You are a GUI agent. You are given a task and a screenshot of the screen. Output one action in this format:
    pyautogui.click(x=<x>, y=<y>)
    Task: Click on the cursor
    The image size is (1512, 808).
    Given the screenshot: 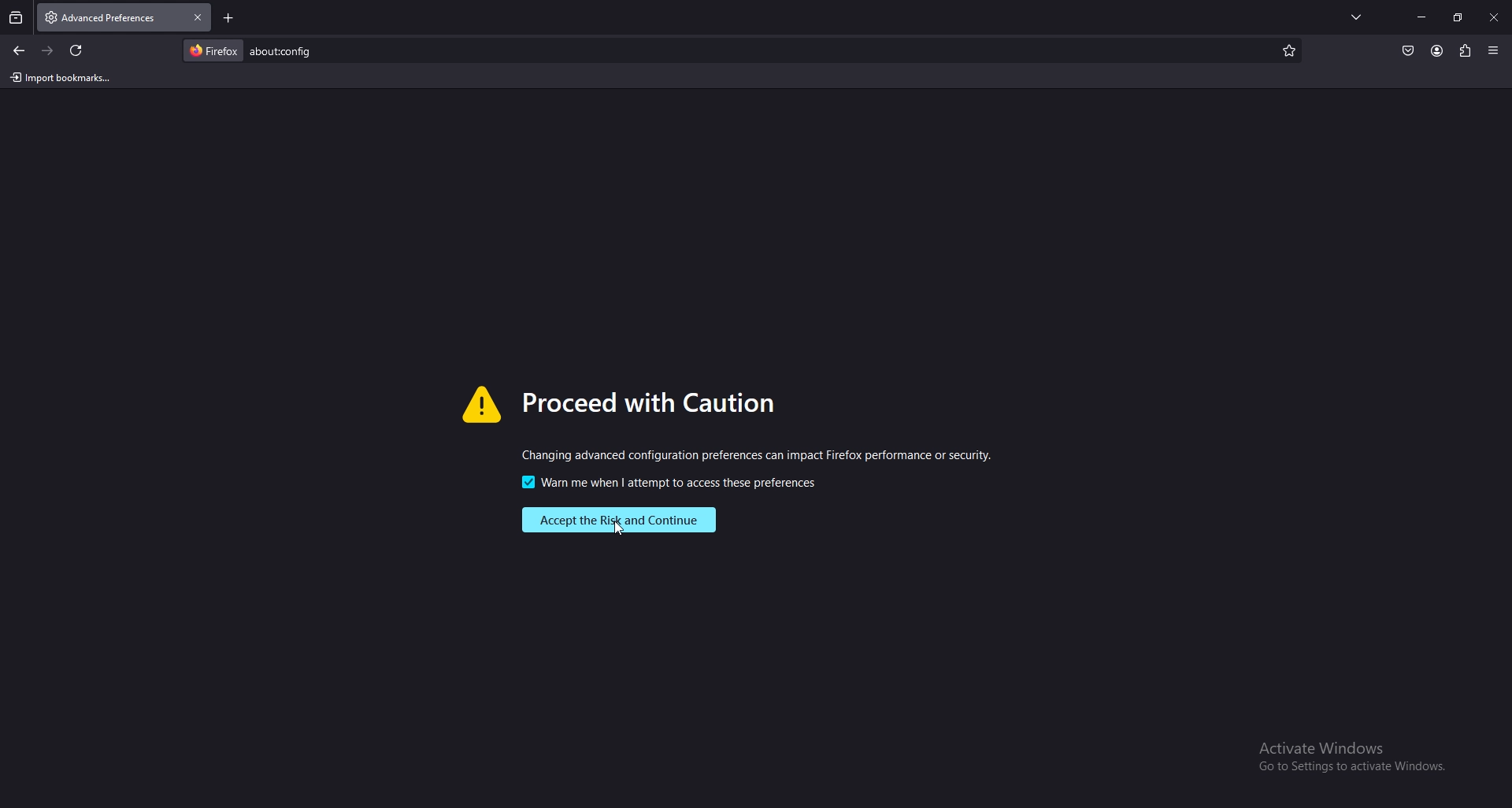 What is the action you would take?
    pyautogui.click(x=624, y=533)
    